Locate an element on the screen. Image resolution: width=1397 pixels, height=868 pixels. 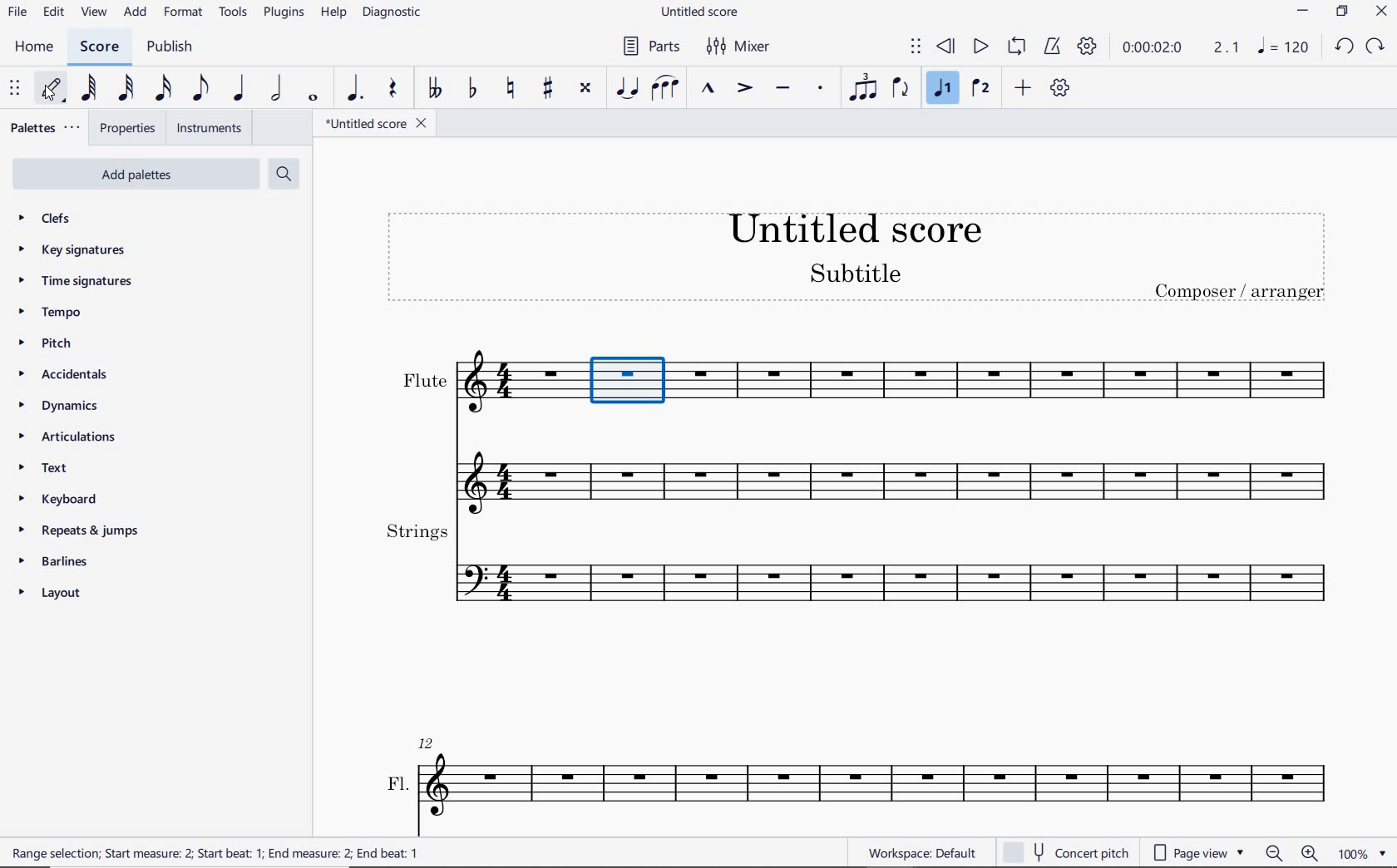
SCORE is located at coordinates (101, 46).